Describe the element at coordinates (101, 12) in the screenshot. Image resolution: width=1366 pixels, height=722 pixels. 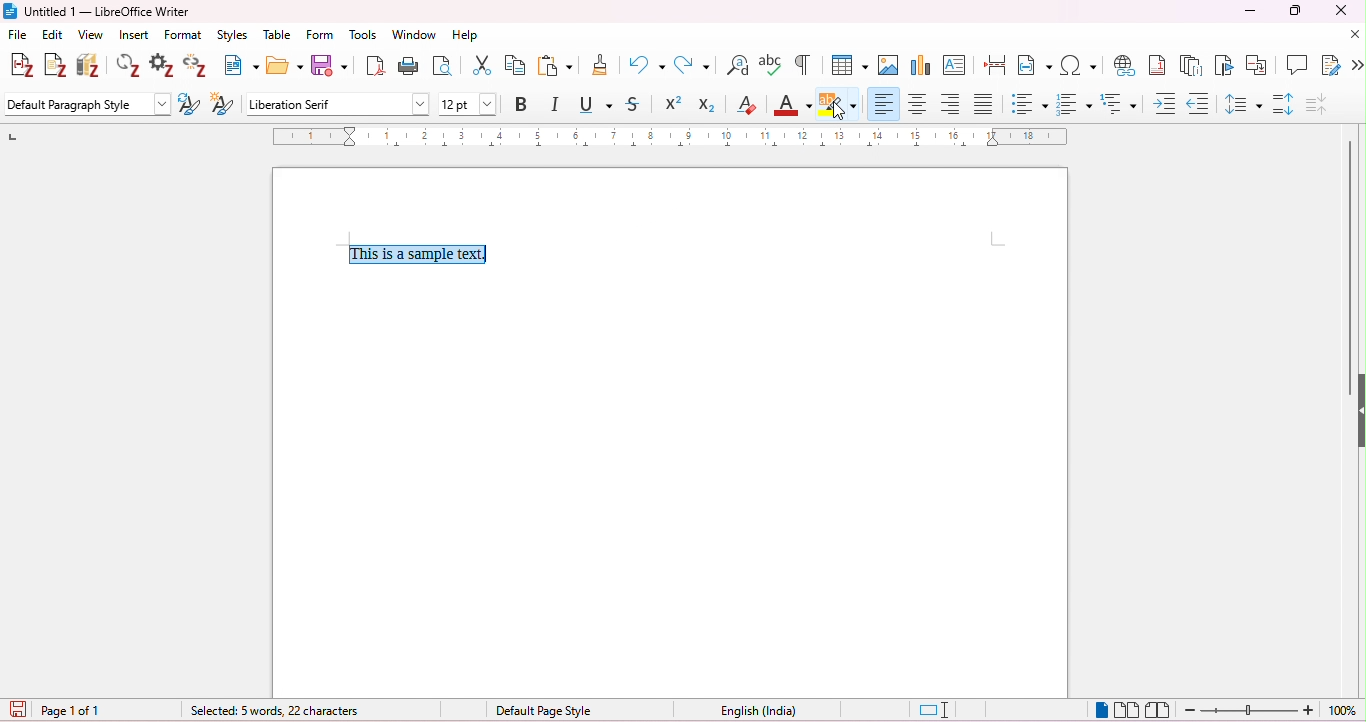
I see `title` at that location.